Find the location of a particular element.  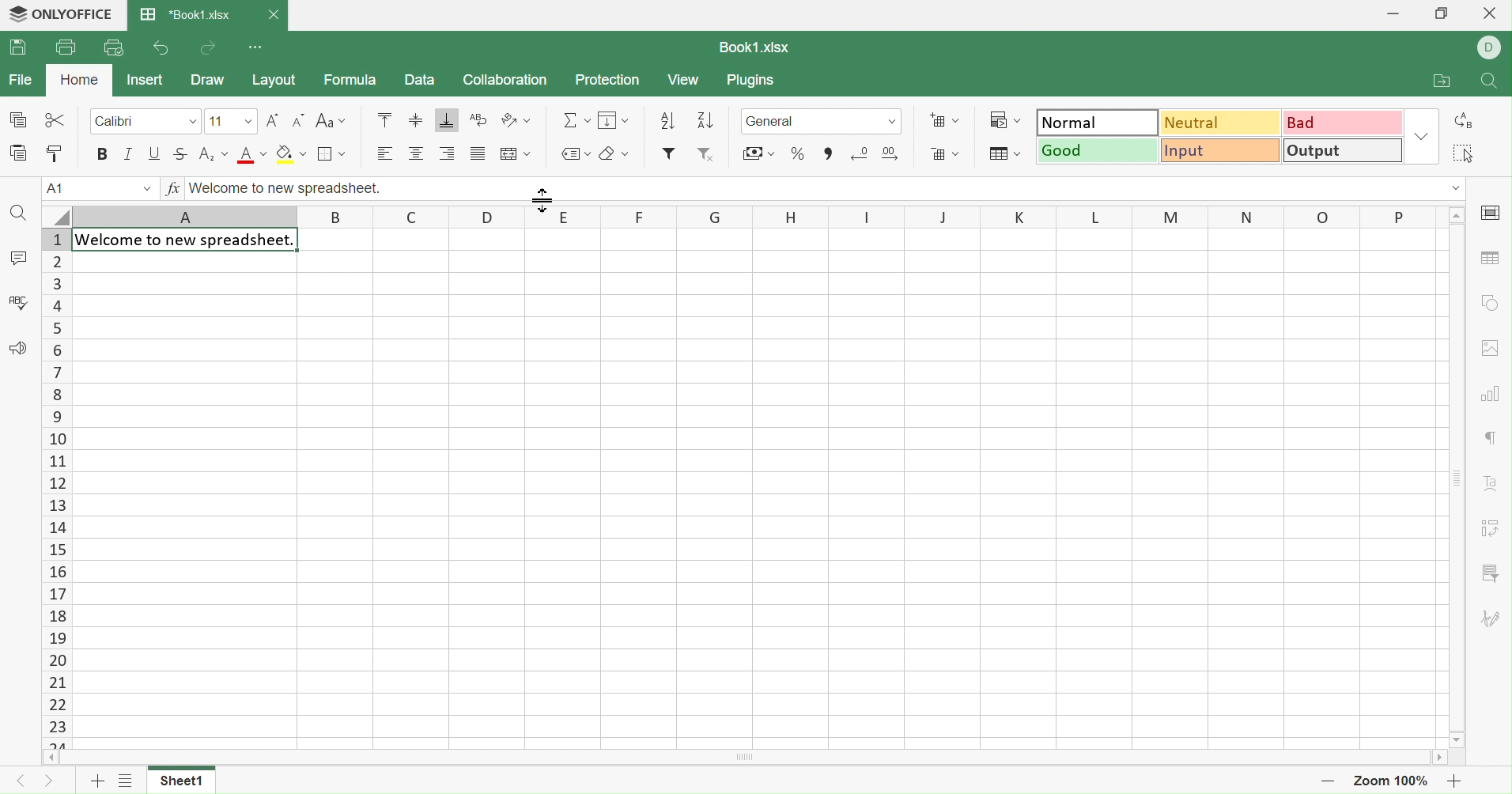

Strikethrough is located at coordinates (182, 154).